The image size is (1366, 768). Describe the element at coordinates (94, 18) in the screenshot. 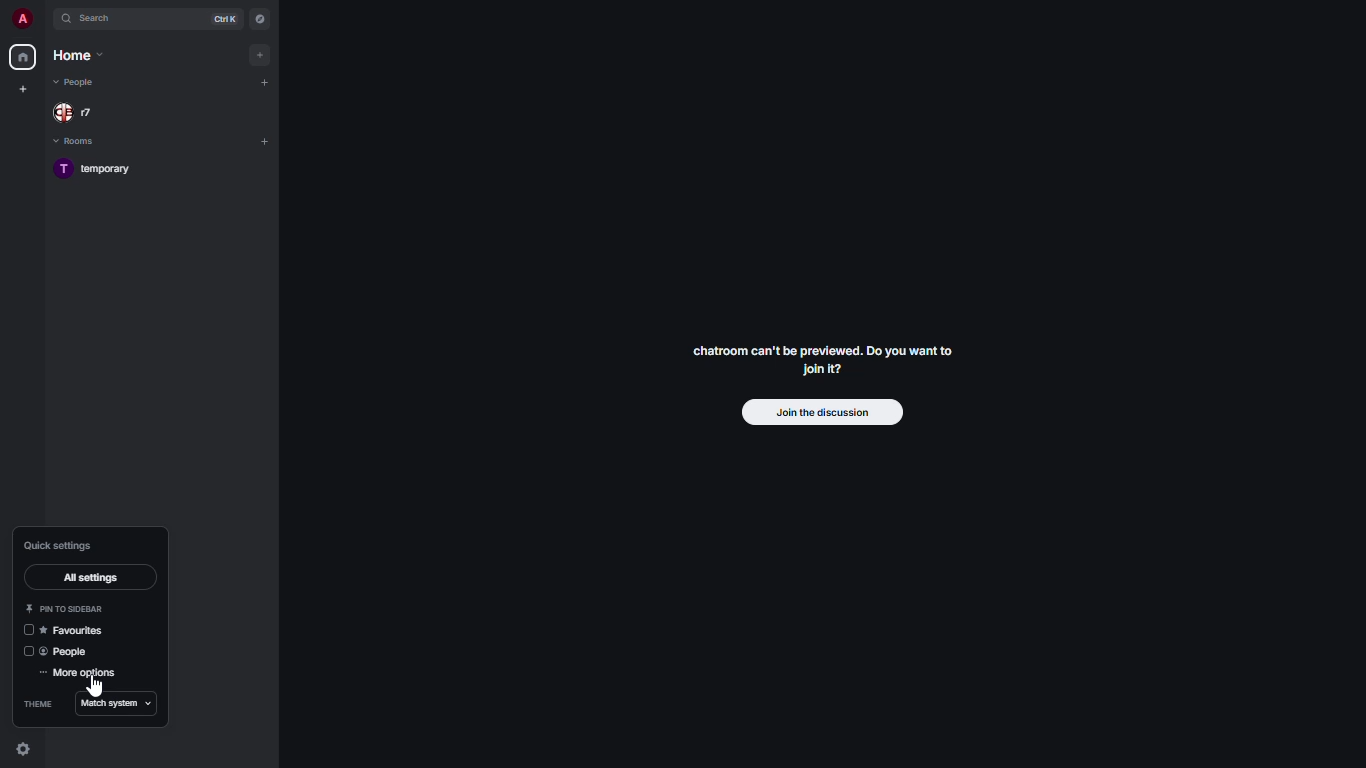

I see `search` at that location.